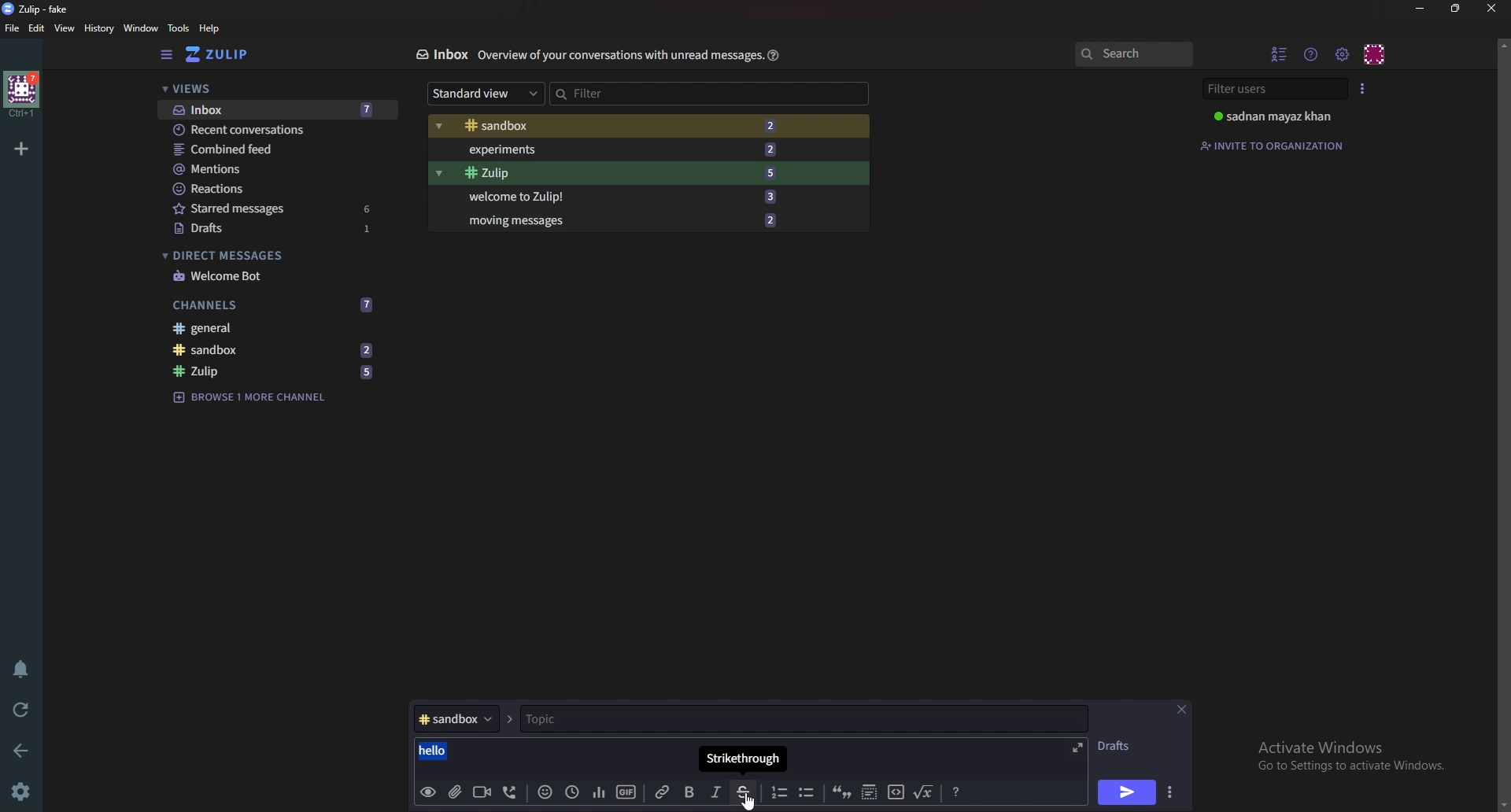 The height and width of the screenshot is (812, 1511). Describe the element at coordinates (1136, 54) in the screenshot. I see `Search` at that location.